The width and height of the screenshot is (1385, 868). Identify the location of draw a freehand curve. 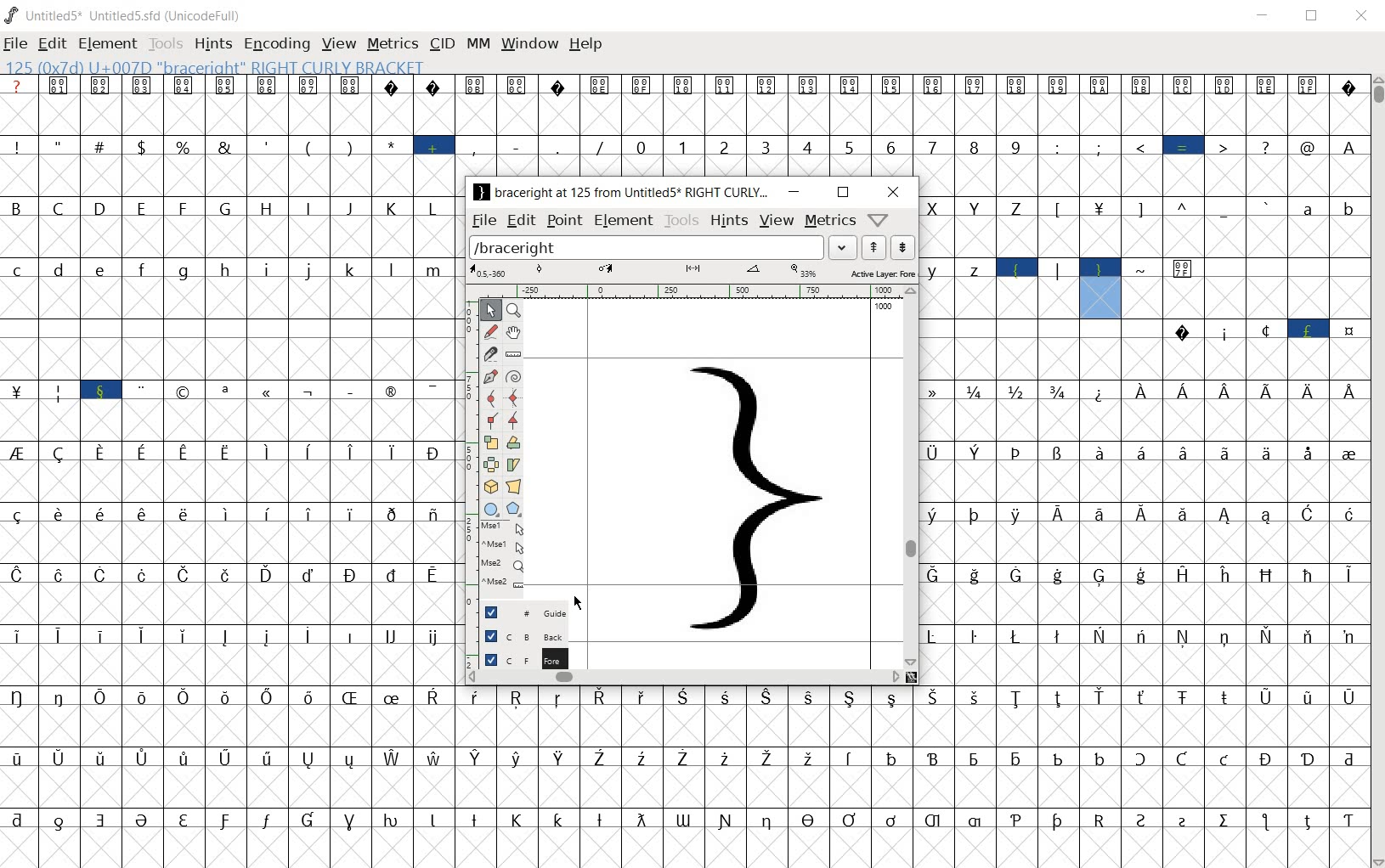
(489, 330).